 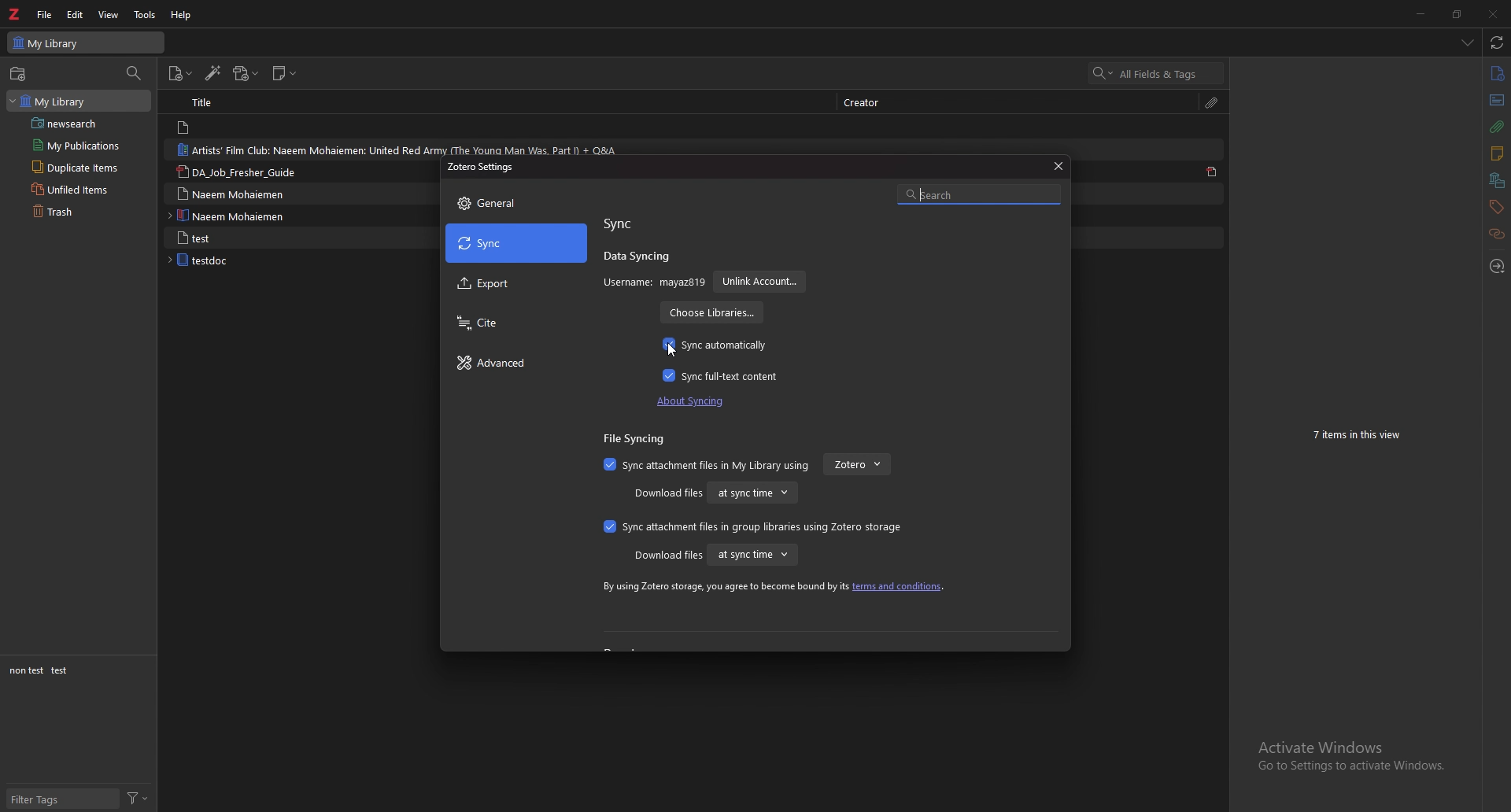 I want to click on filter tags, so click(x=64, y=800).